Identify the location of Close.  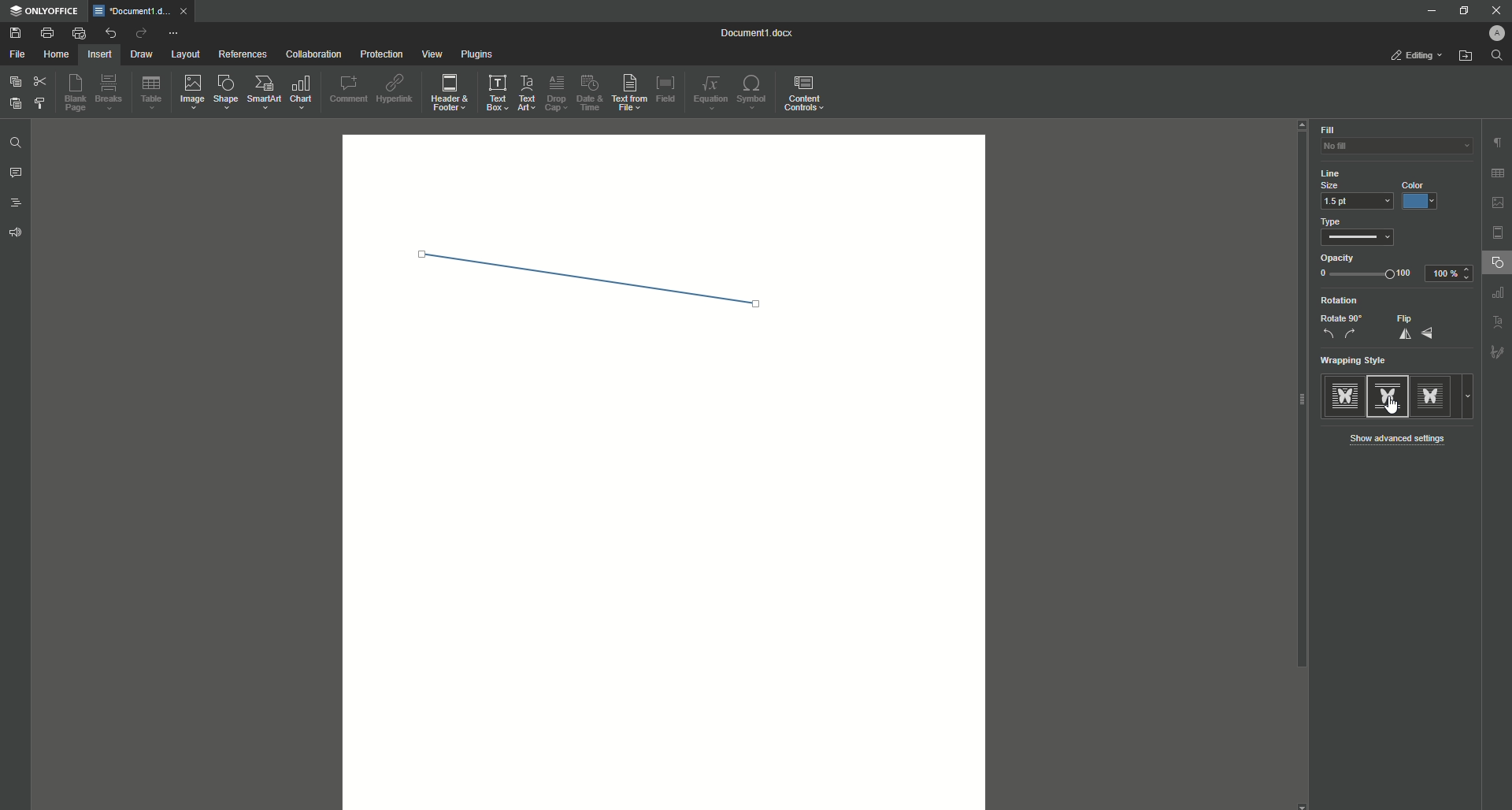
(1497, 10).